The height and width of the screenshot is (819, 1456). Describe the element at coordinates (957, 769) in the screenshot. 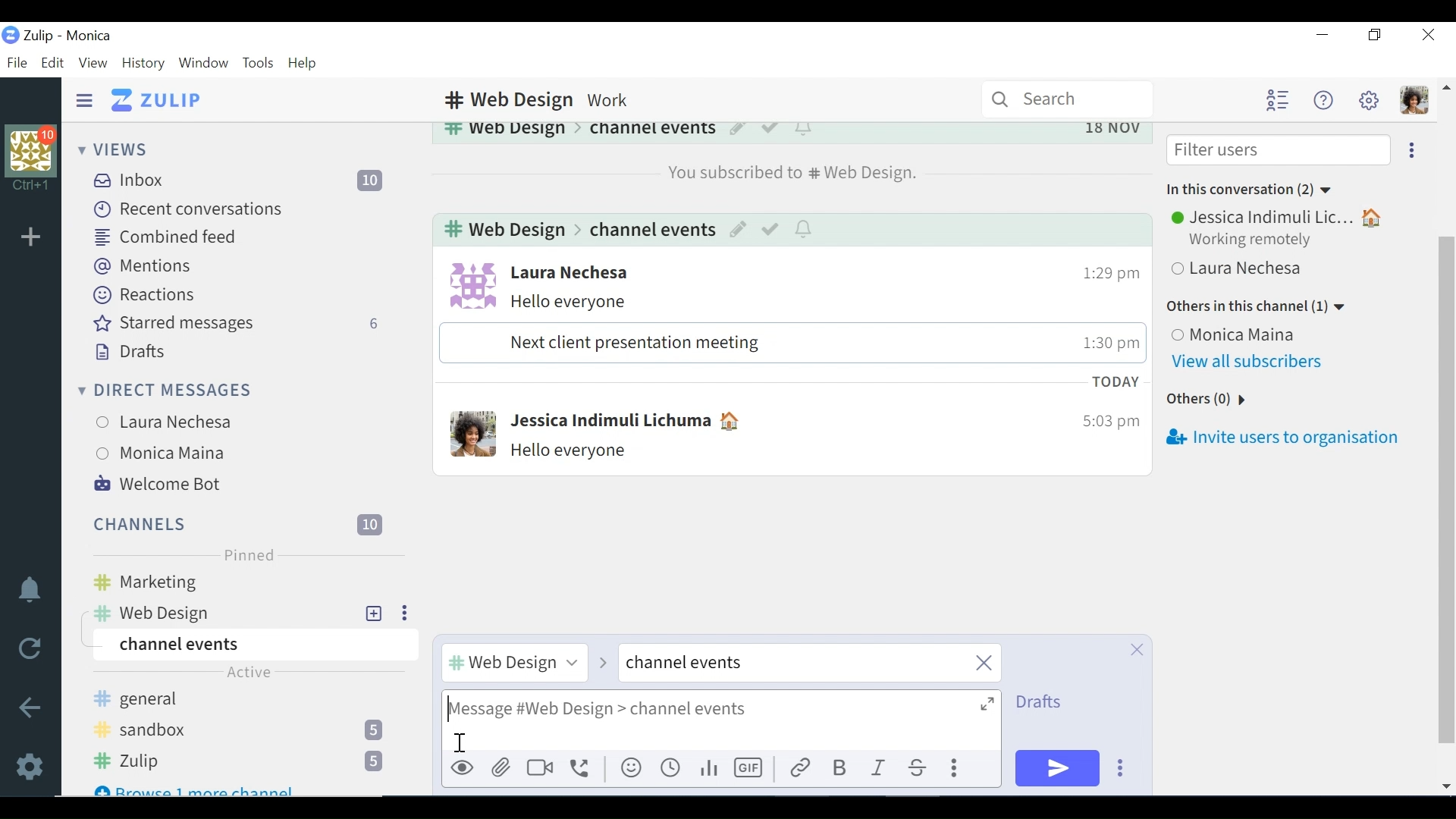

I see `Compose actions` at that location.